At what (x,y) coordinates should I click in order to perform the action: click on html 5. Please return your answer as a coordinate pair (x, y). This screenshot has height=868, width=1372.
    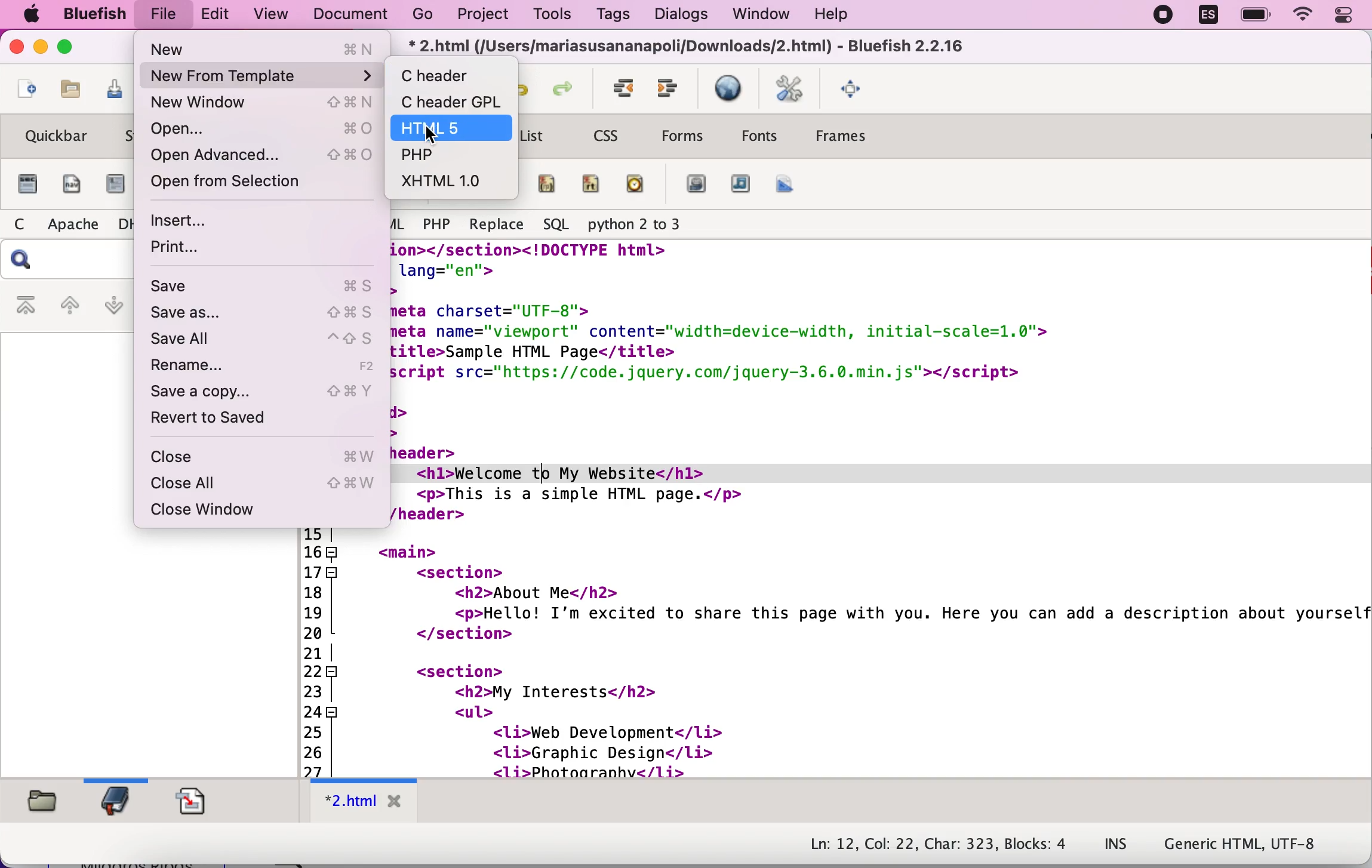
    Looking at the image, I should click on (453, 128).